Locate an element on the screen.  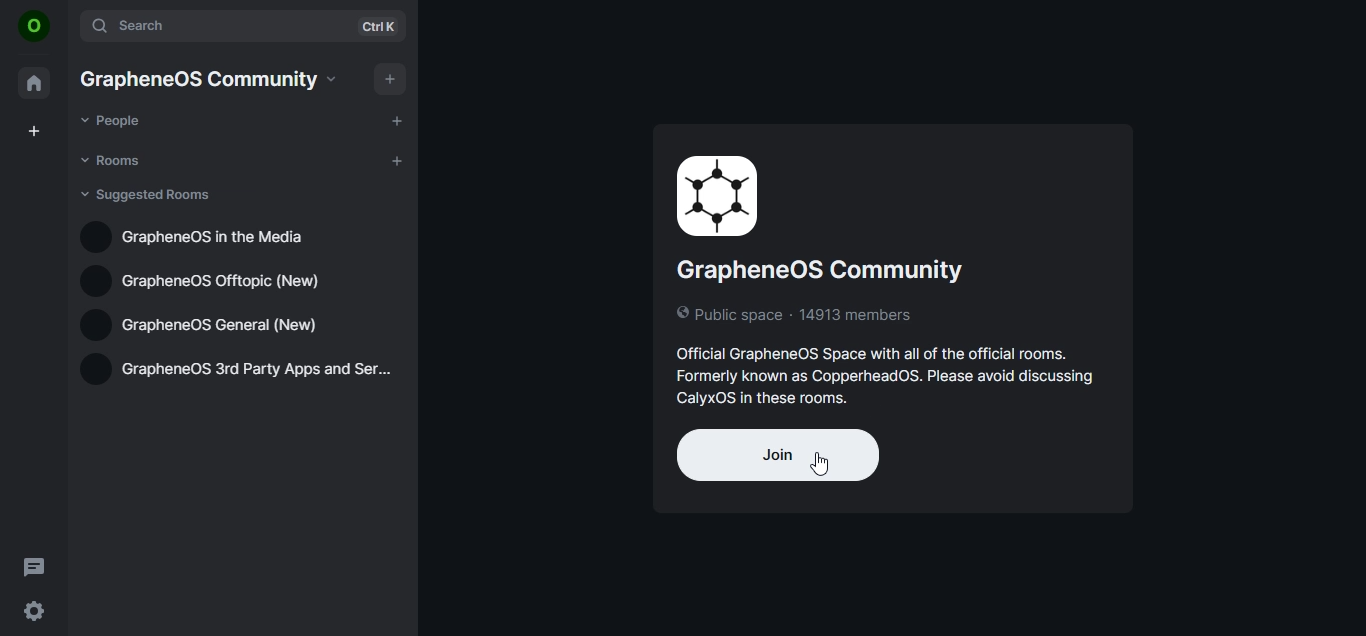
add is located at coordinates (388, 79).